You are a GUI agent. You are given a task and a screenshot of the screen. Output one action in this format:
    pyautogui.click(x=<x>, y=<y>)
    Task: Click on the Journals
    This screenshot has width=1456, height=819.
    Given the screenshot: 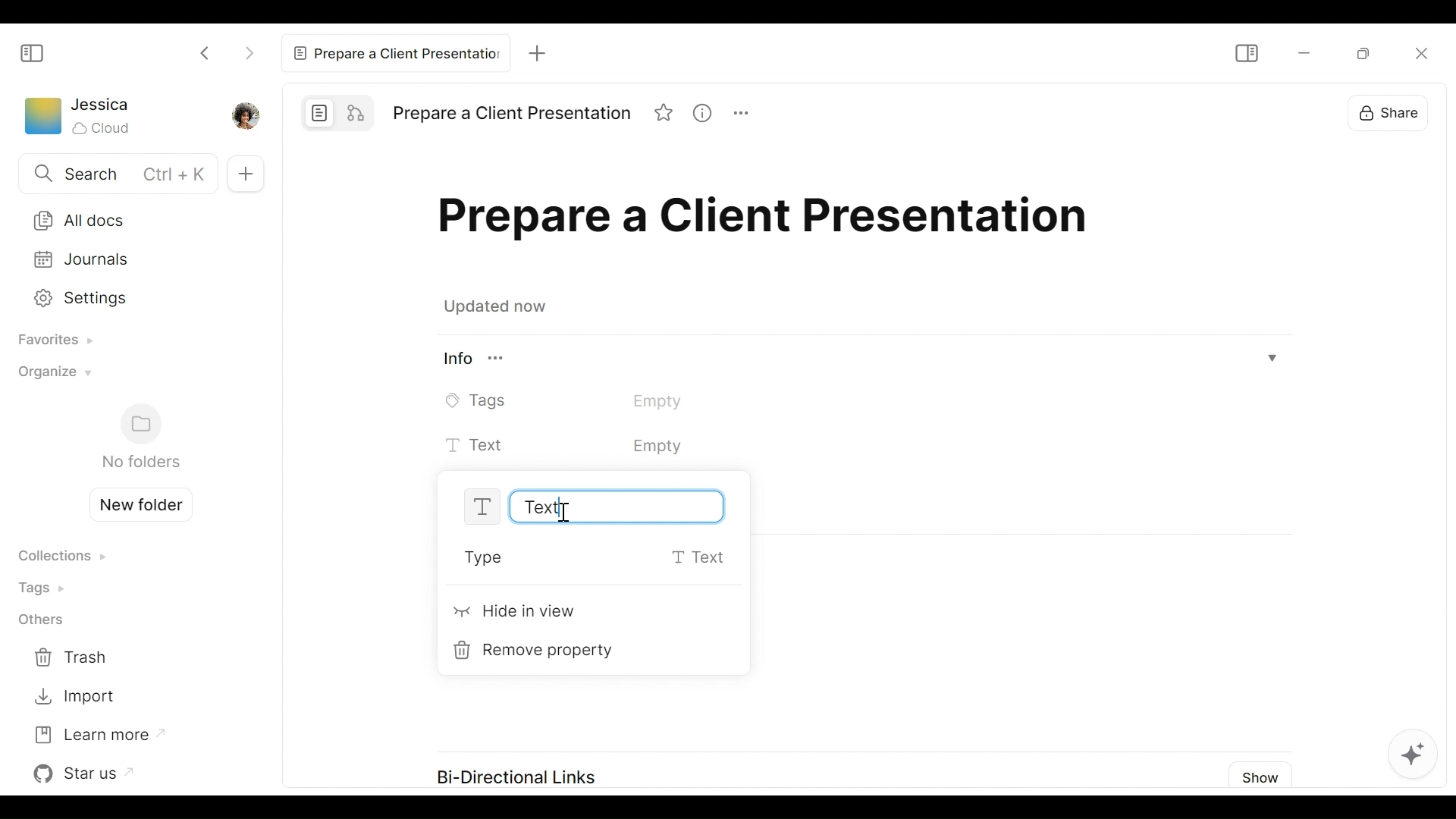 What is the action you would take?
    pyautogui.click(x=130, y=259)
    